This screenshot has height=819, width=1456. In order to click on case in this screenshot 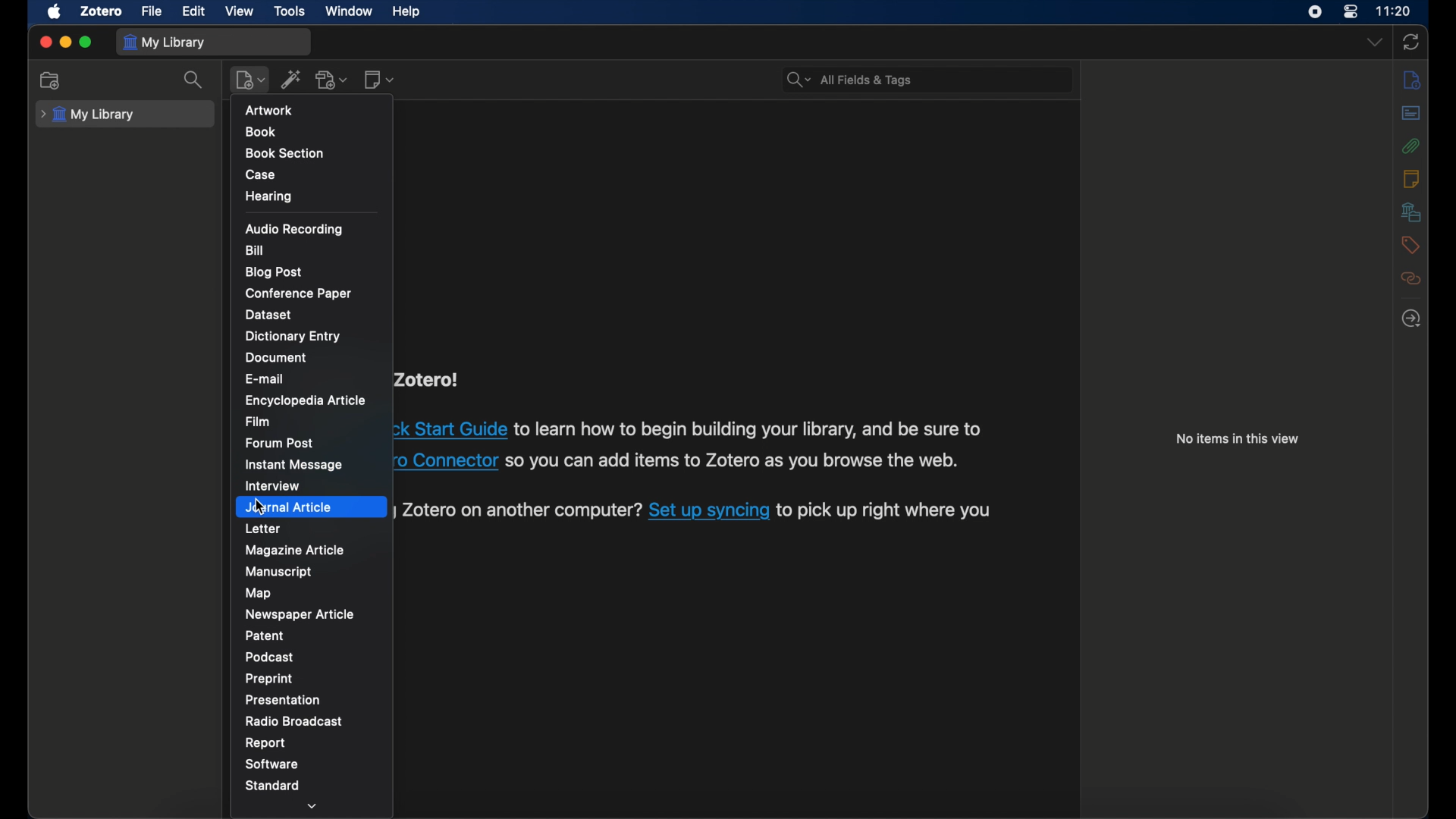, I will do `click(259, 174)`.